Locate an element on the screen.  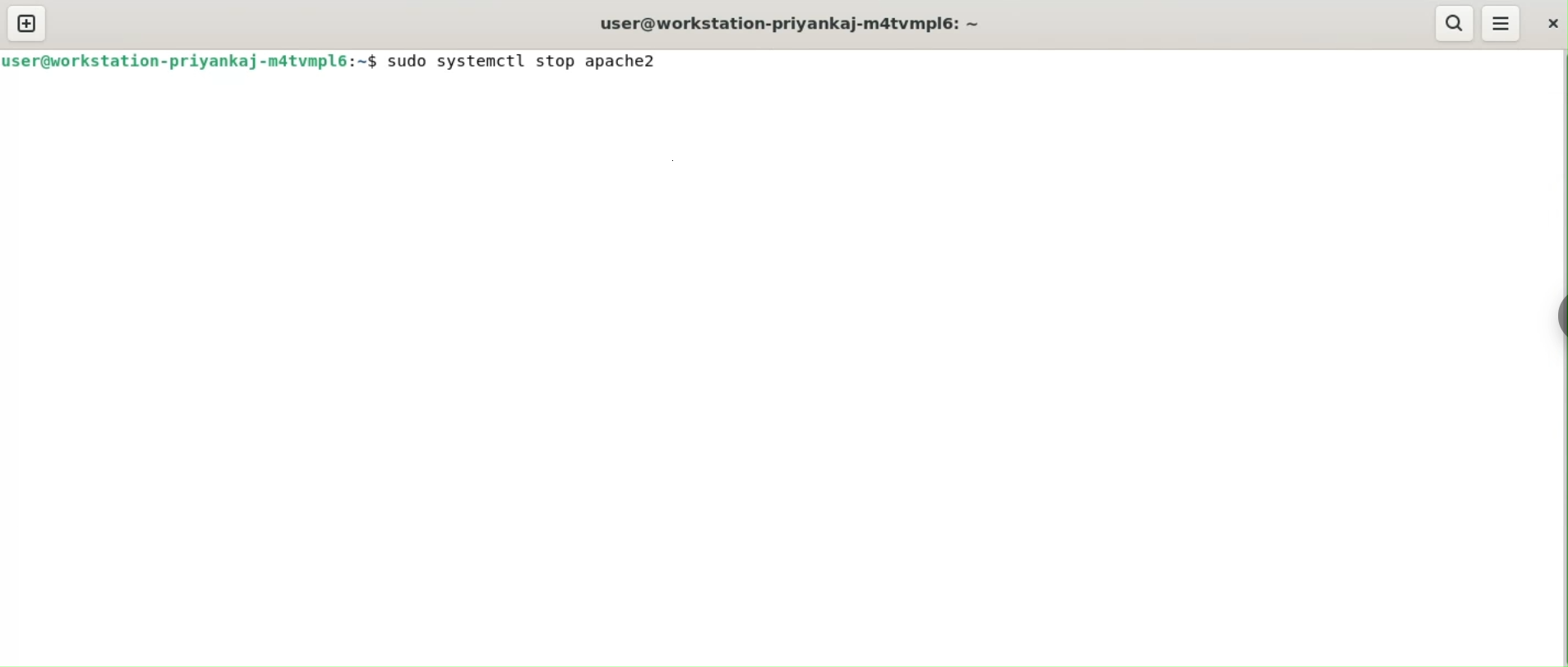
new tab is located at coordinates (27, 23).